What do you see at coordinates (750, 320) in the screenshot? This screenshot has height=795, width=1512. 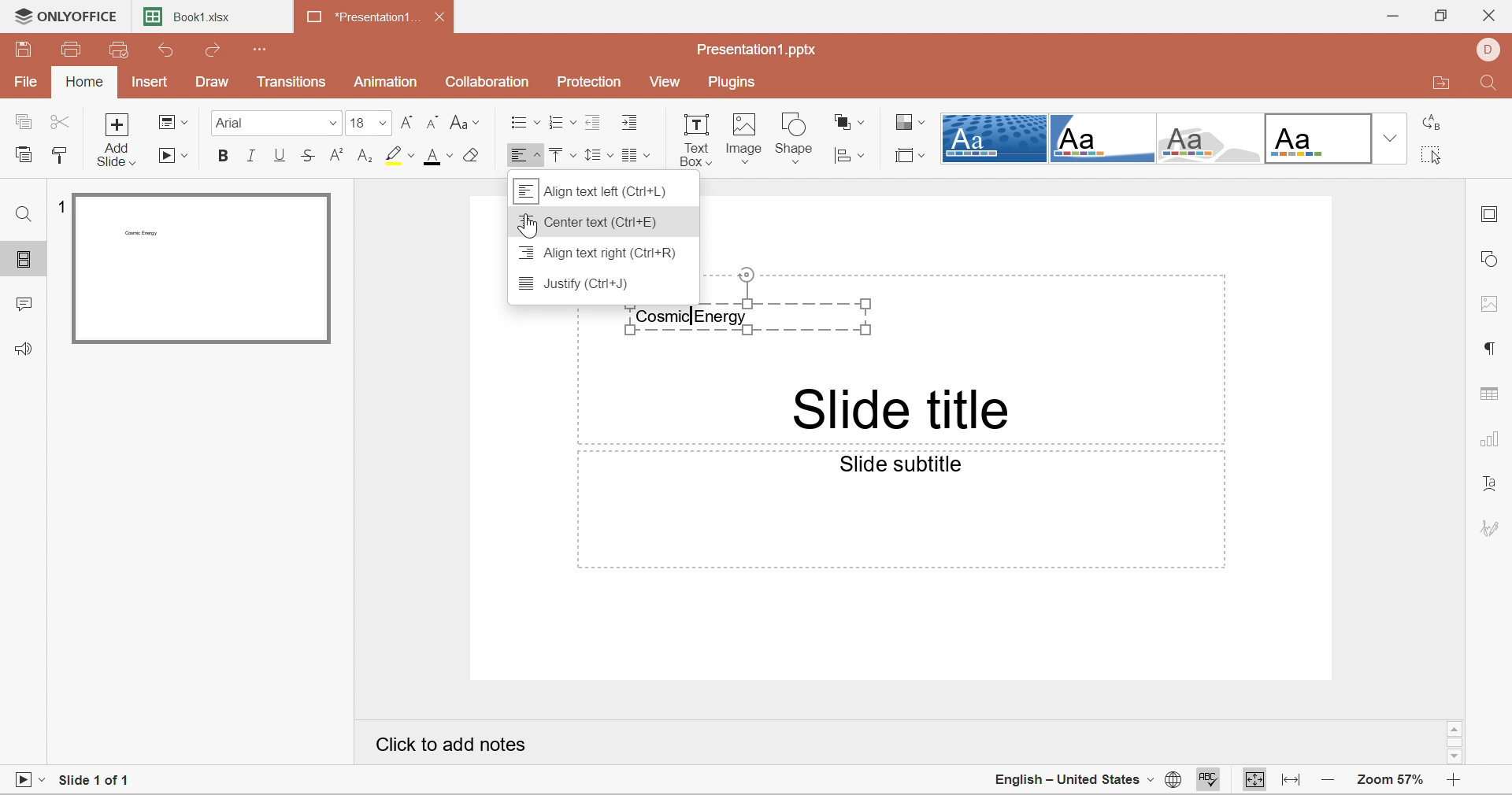 I see `Cosmic Energy` at bounding box center [750, 320].